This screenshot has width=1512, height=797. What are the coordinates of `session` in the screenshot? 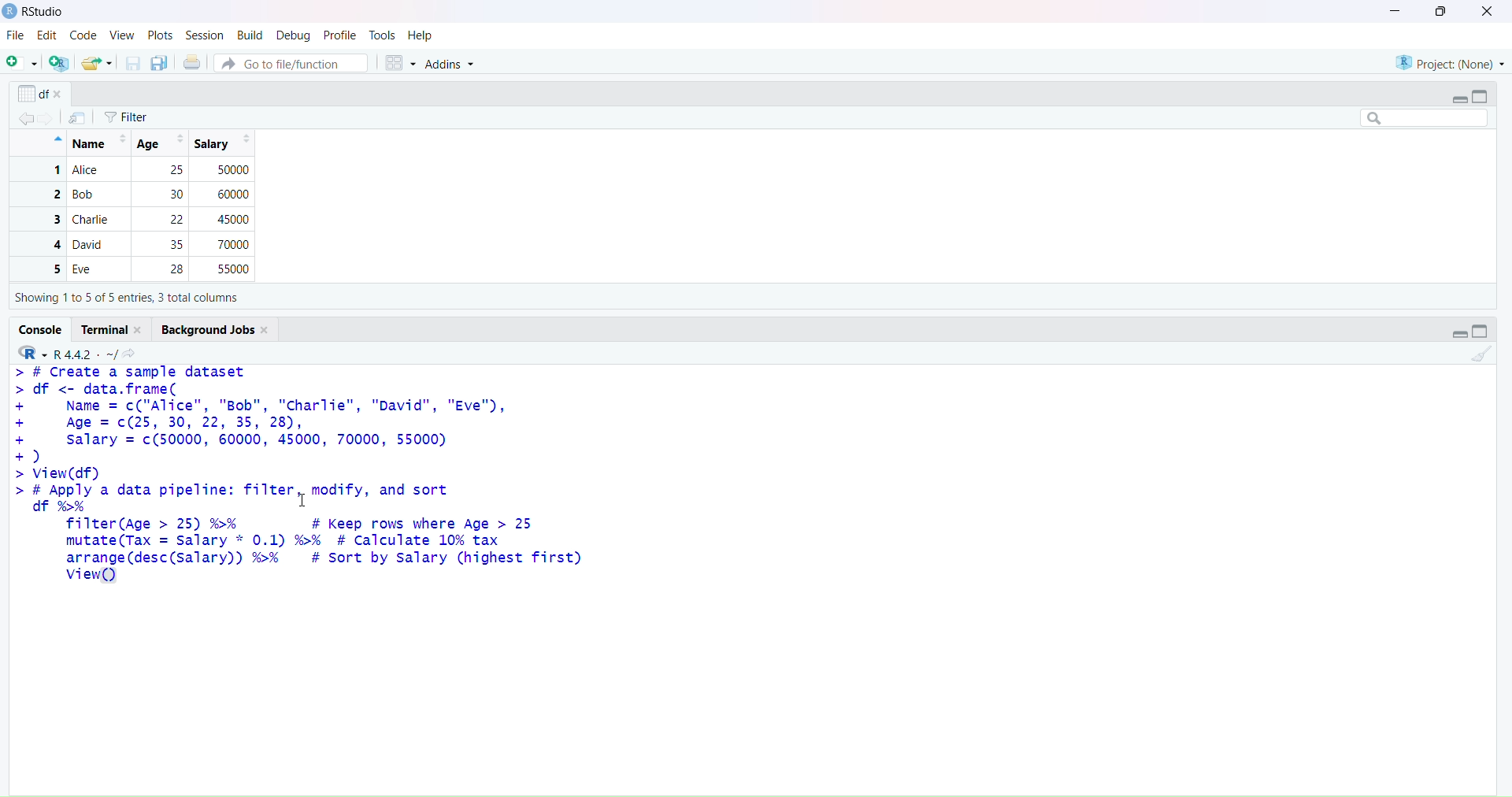 It's located at (206, 35).